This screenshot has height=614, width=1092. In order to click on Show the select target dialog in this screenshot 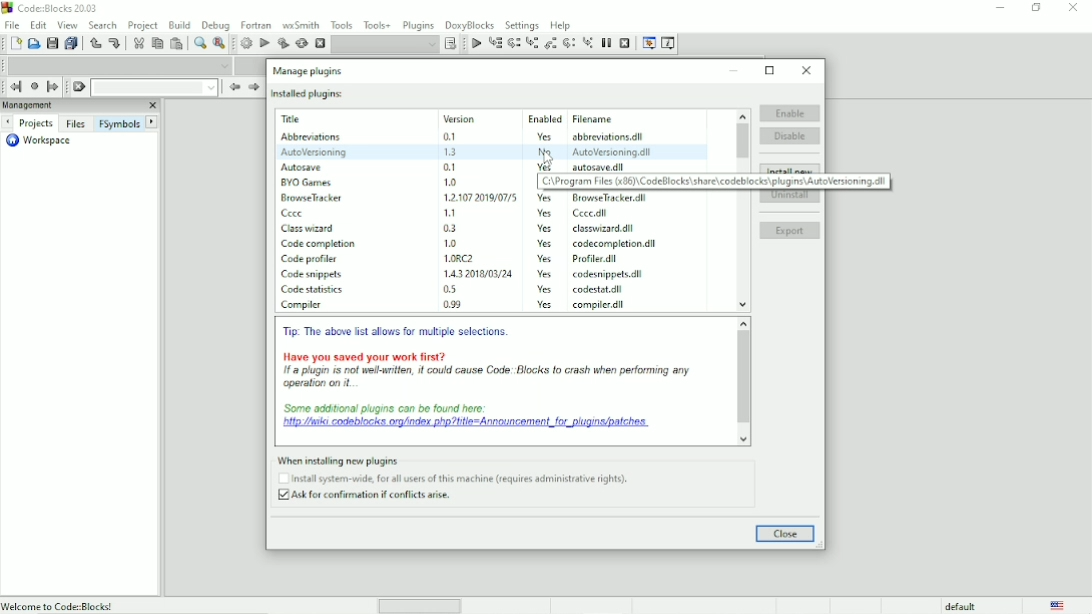, I will do `click(449, 44)`.